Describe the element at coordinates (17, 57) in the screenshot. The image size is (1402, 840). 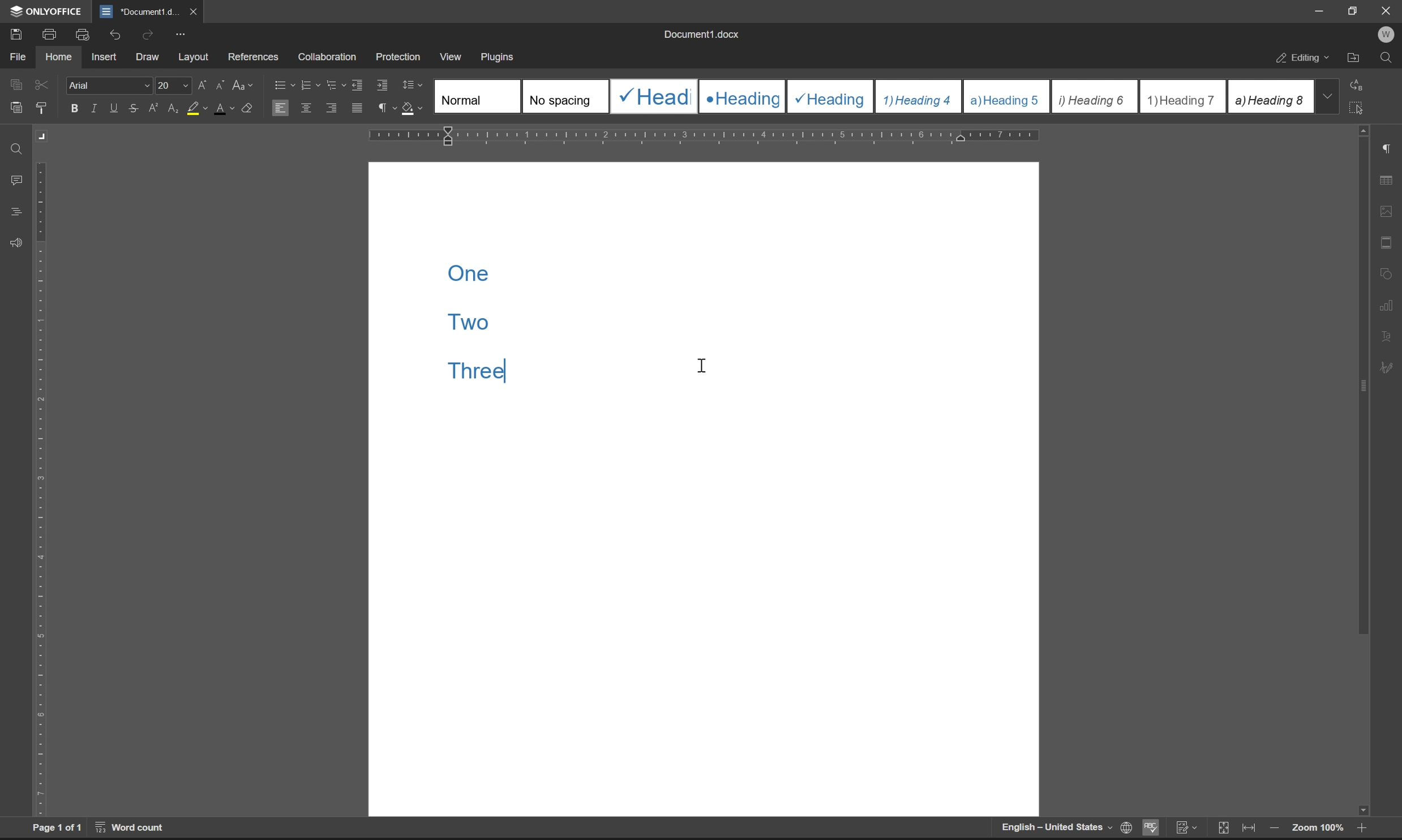
I see `file` at that location.